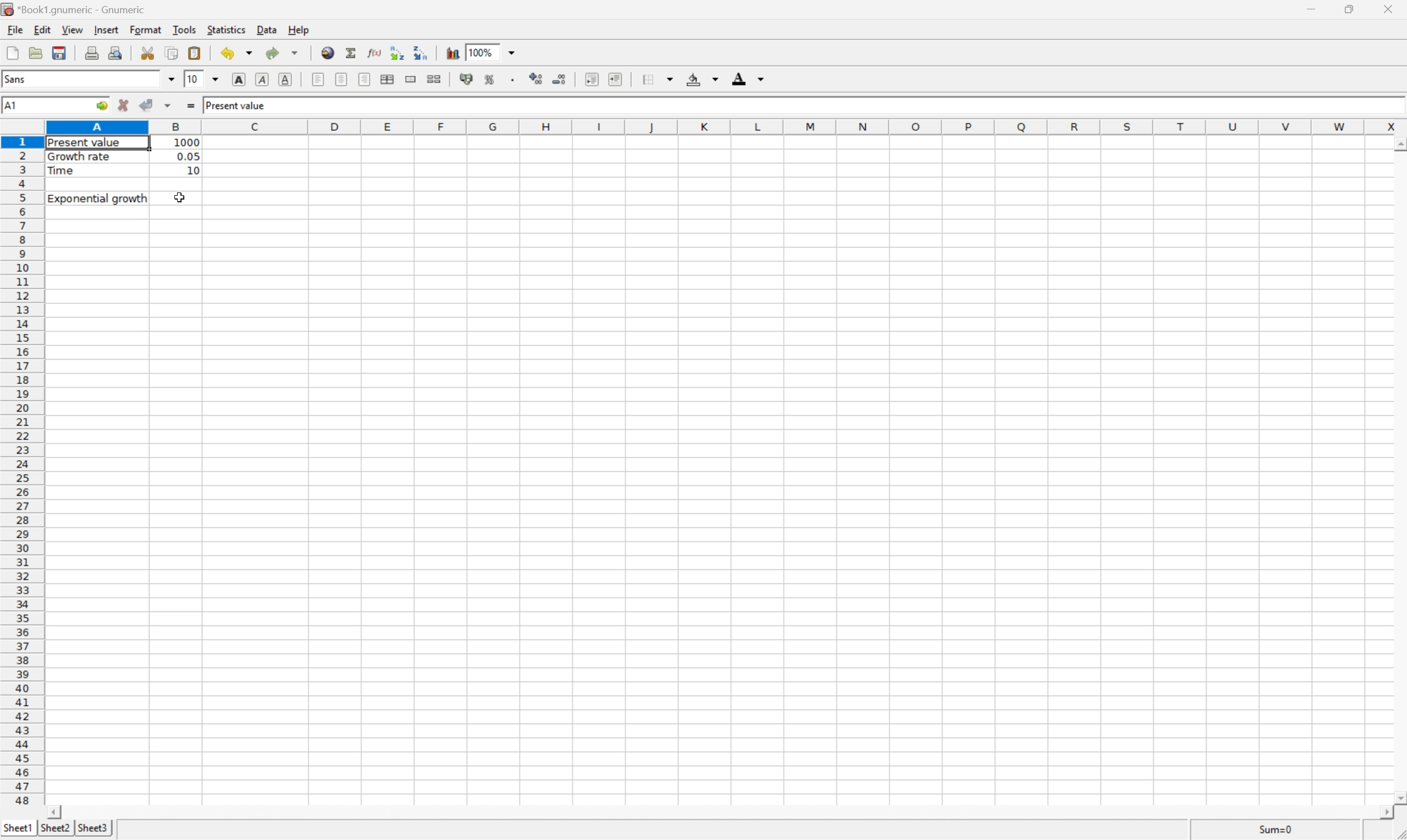  I want to click on Print the current file, so click(92, 53).